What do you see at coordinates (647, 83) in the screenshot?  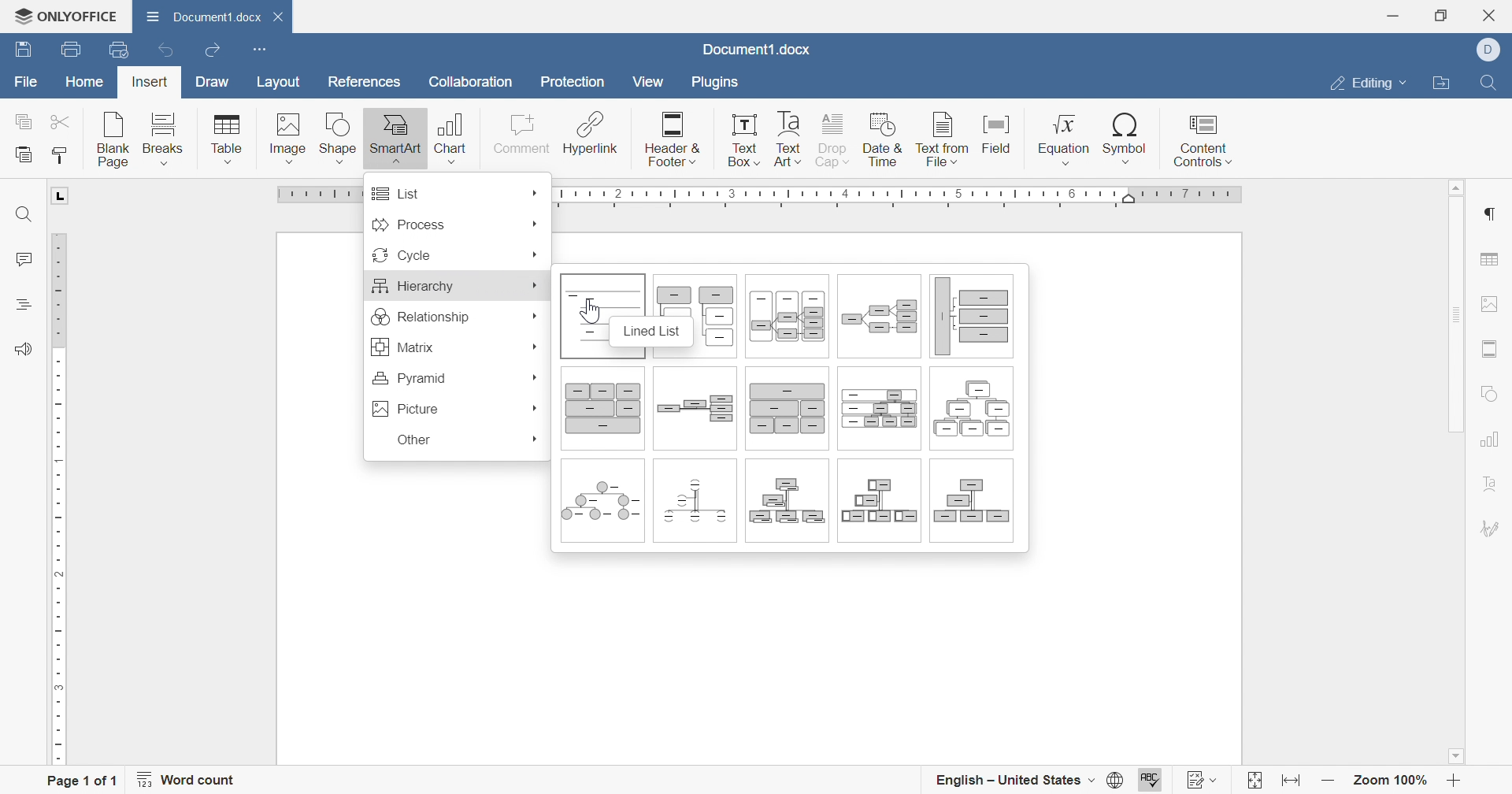 I see `View` at bounding box center [647, 83].